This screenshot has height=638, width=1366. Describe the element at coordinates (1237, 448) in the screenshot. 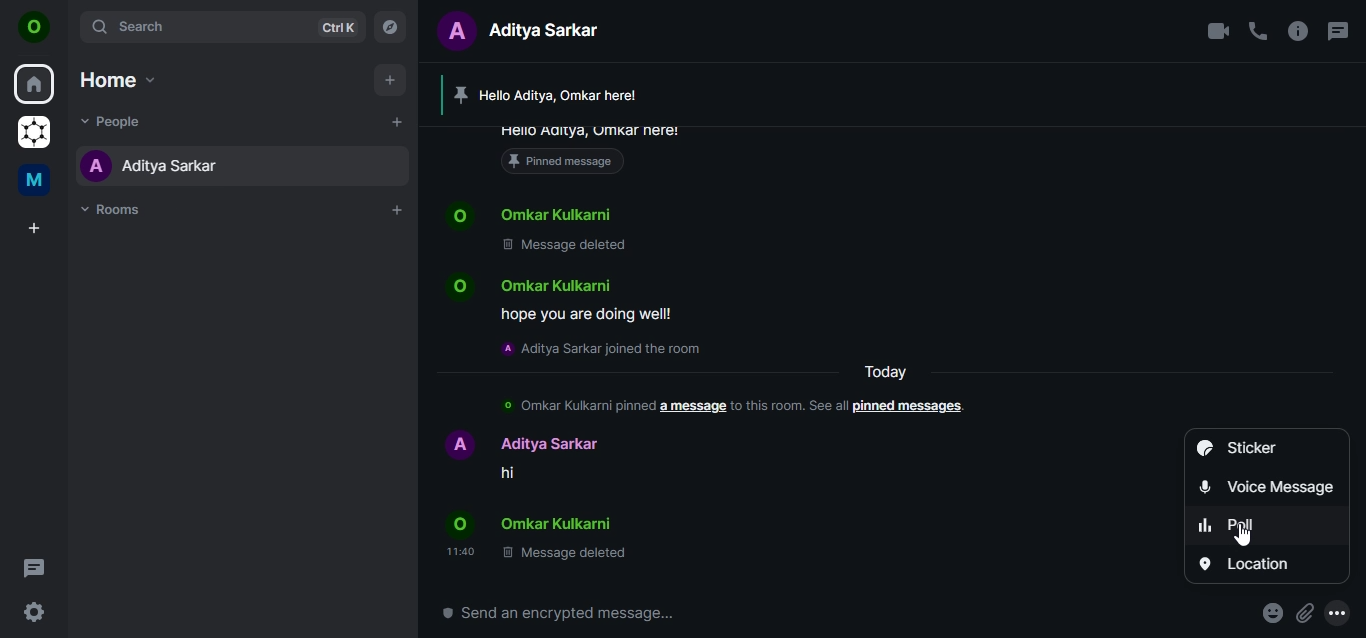

I see `sticker` at that location.